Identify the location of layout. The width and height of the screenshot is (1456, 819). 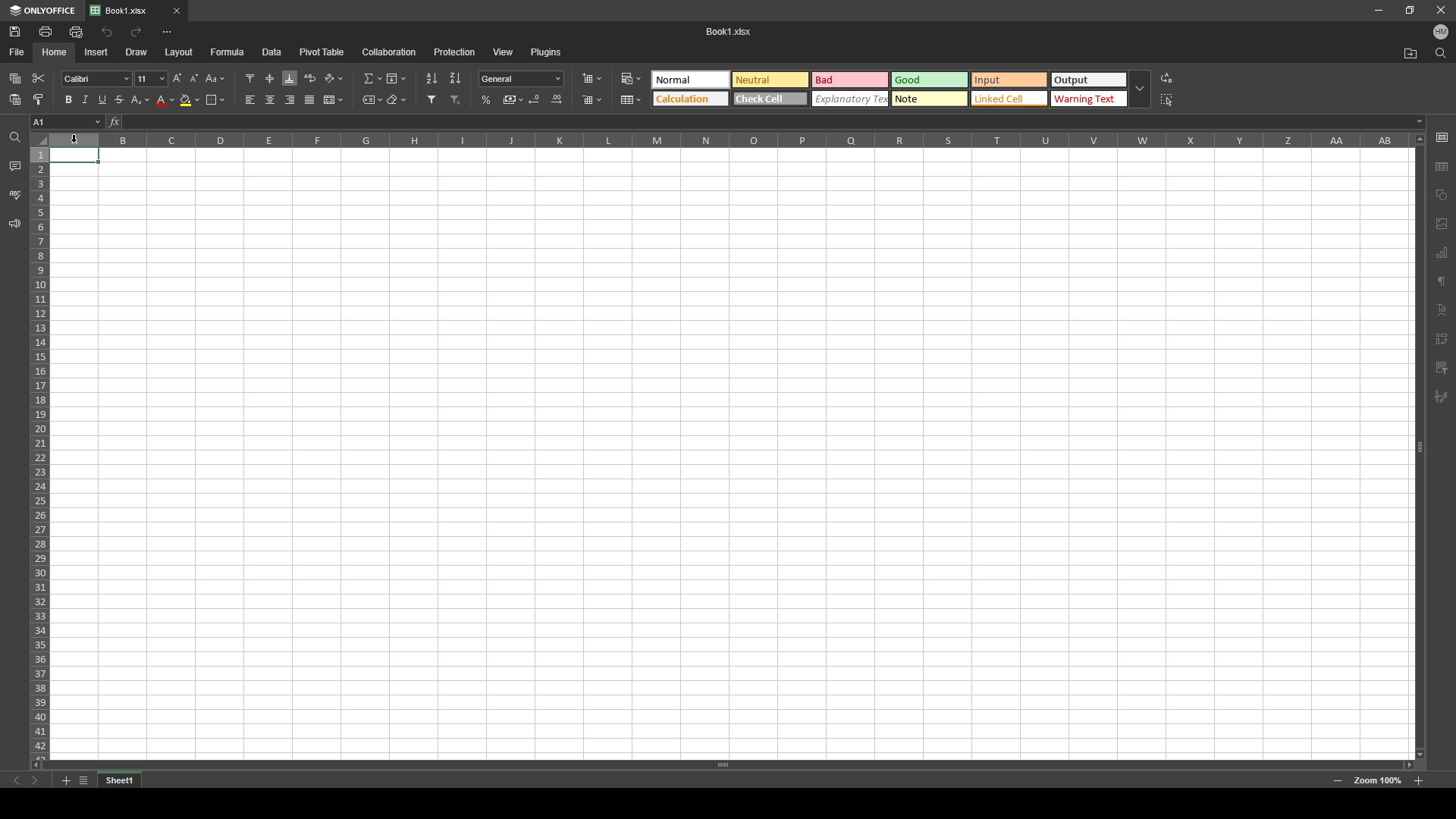
(179, 52).